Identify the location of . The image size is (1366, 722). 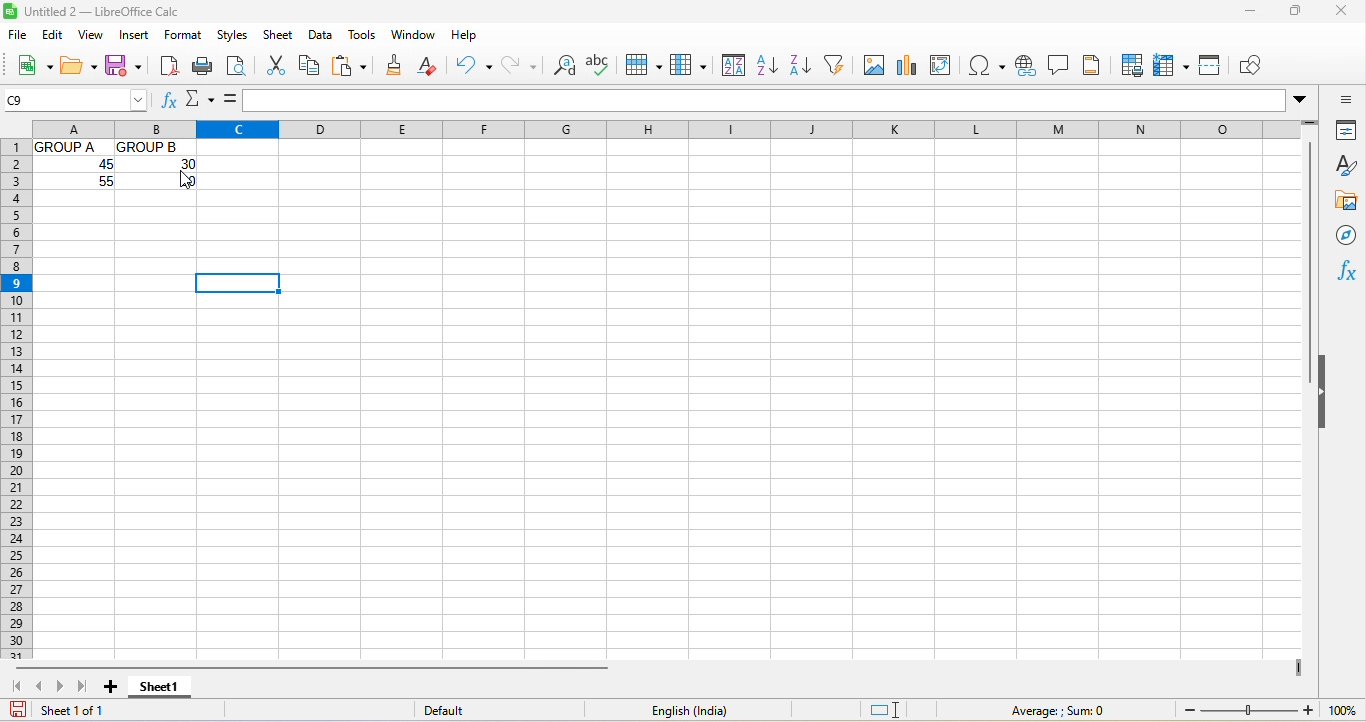
(156, 180).